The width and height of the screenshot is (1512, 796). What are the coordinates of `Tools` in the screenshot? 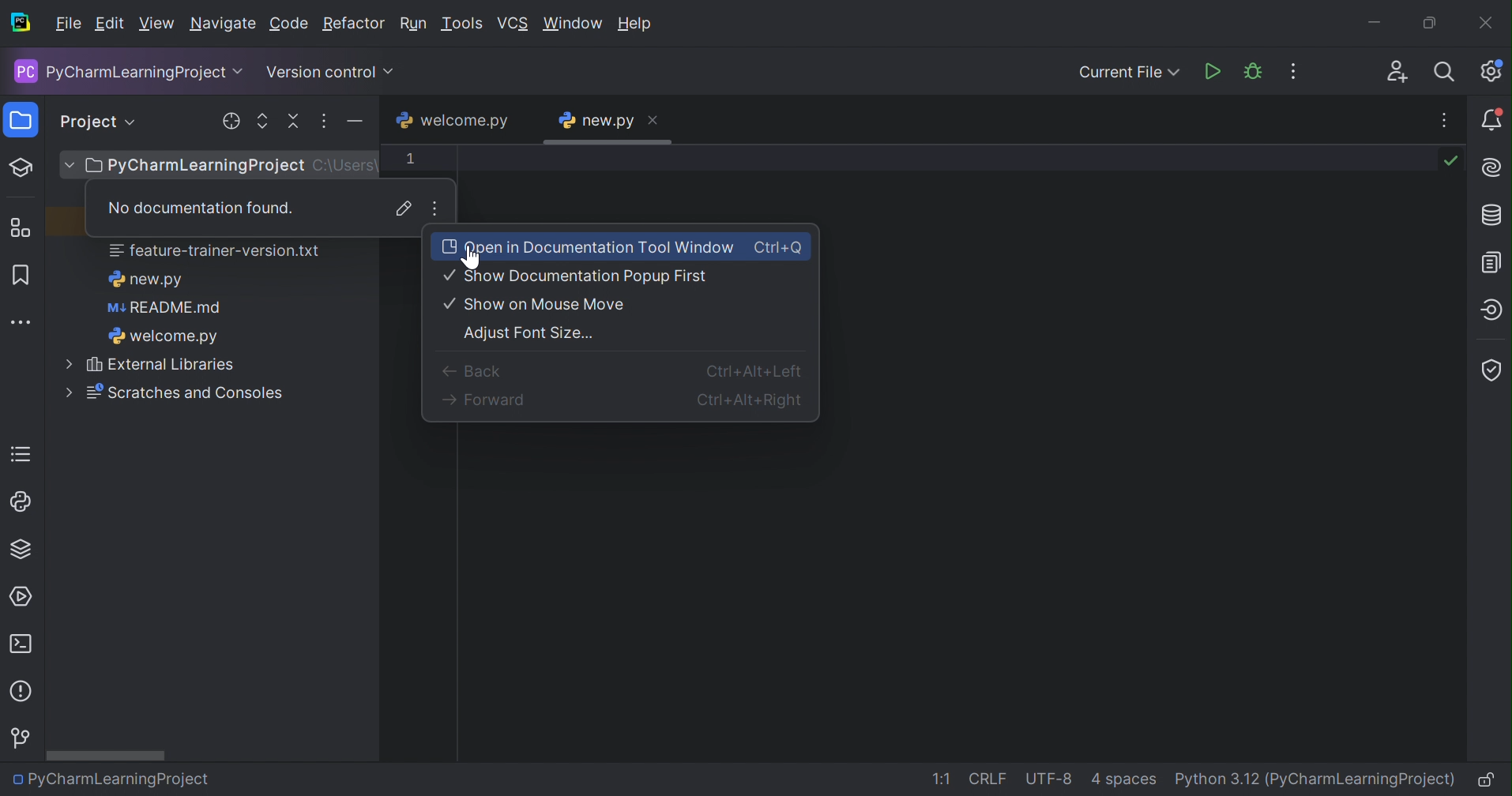 It's located at (463, 24).